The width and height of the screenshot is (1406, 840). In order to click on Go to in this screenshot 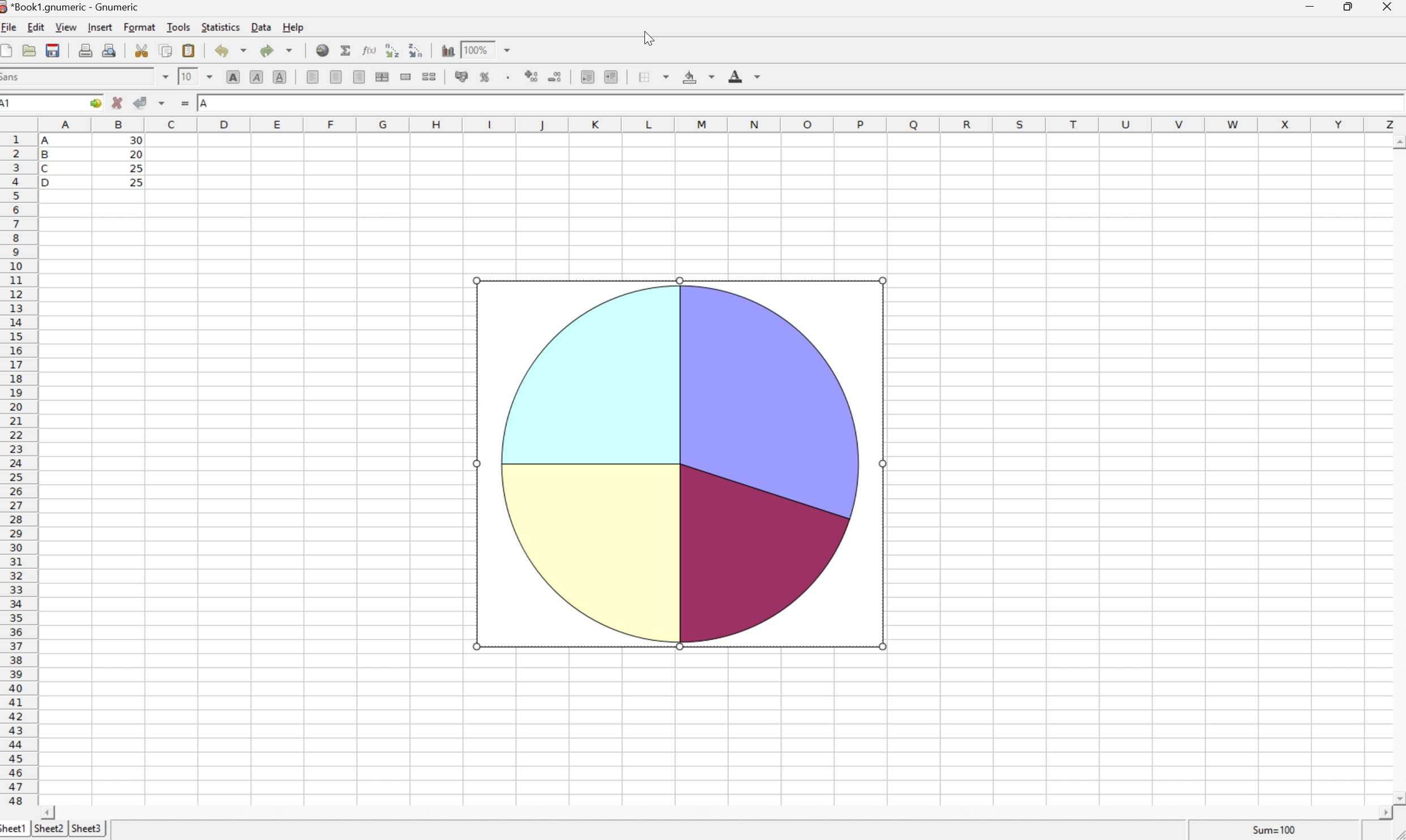, I will do `click(95, 101)`.